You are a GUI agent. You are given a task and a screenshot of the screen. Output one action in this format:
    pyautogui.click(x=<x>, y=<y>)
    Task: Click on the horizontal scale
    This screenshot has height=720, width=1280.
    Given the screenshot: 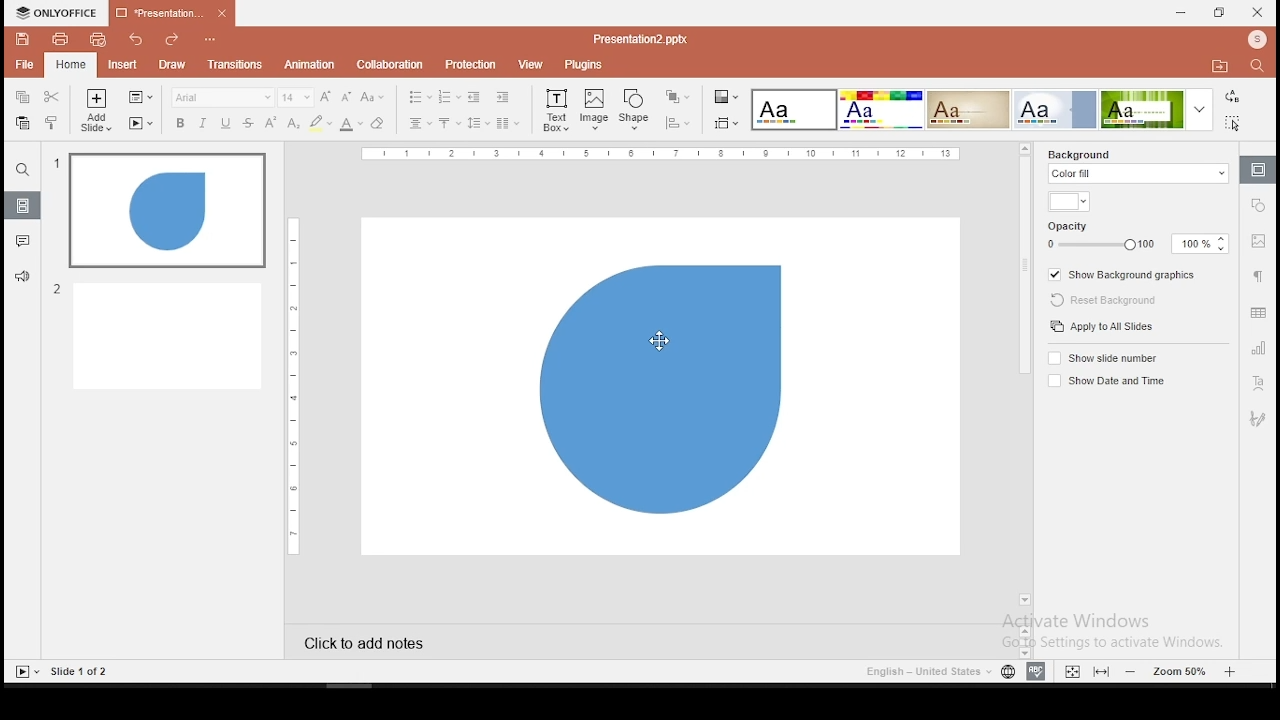 What is the action you would take?
    pyautogui.click(x=290, y=385)
    